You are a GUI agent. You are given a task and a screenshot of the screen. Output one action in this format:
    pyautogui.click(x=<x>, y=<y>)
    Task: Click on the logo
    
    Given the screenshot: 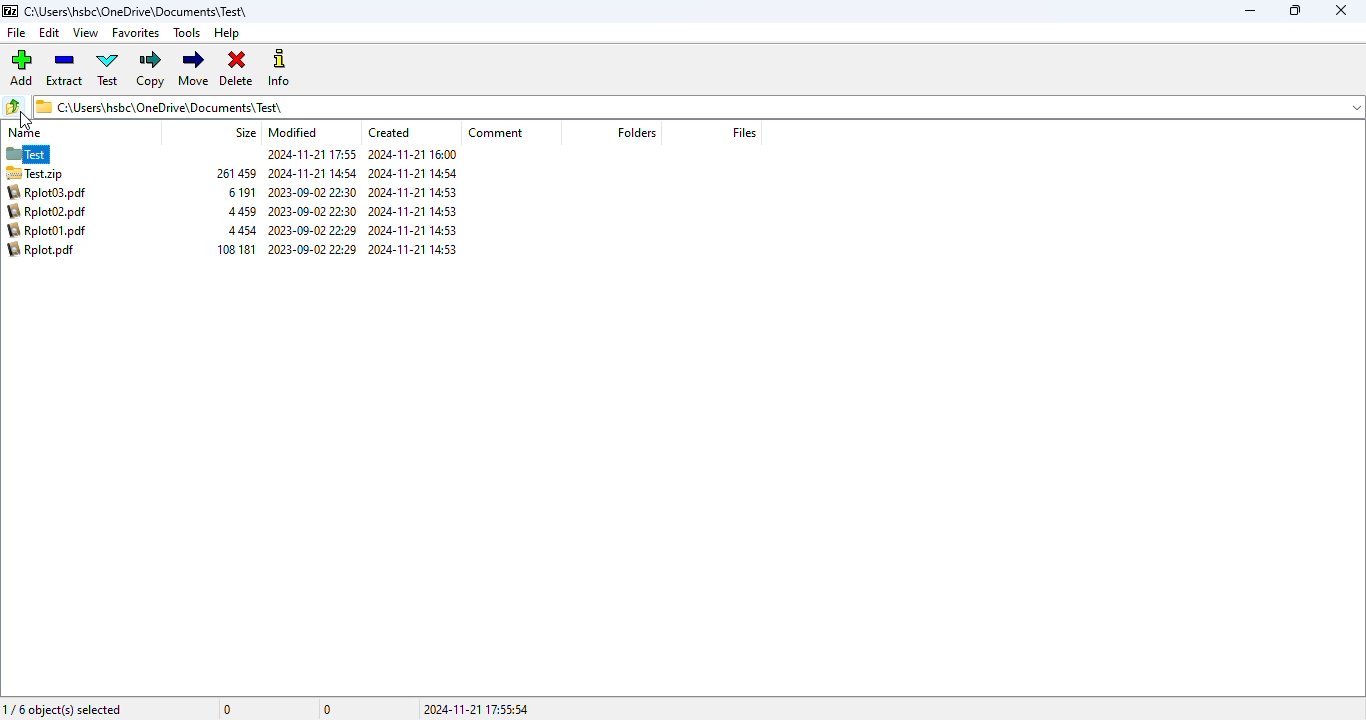 What is the action you would take?
    pyautogui.click(x=9, y=11)
    